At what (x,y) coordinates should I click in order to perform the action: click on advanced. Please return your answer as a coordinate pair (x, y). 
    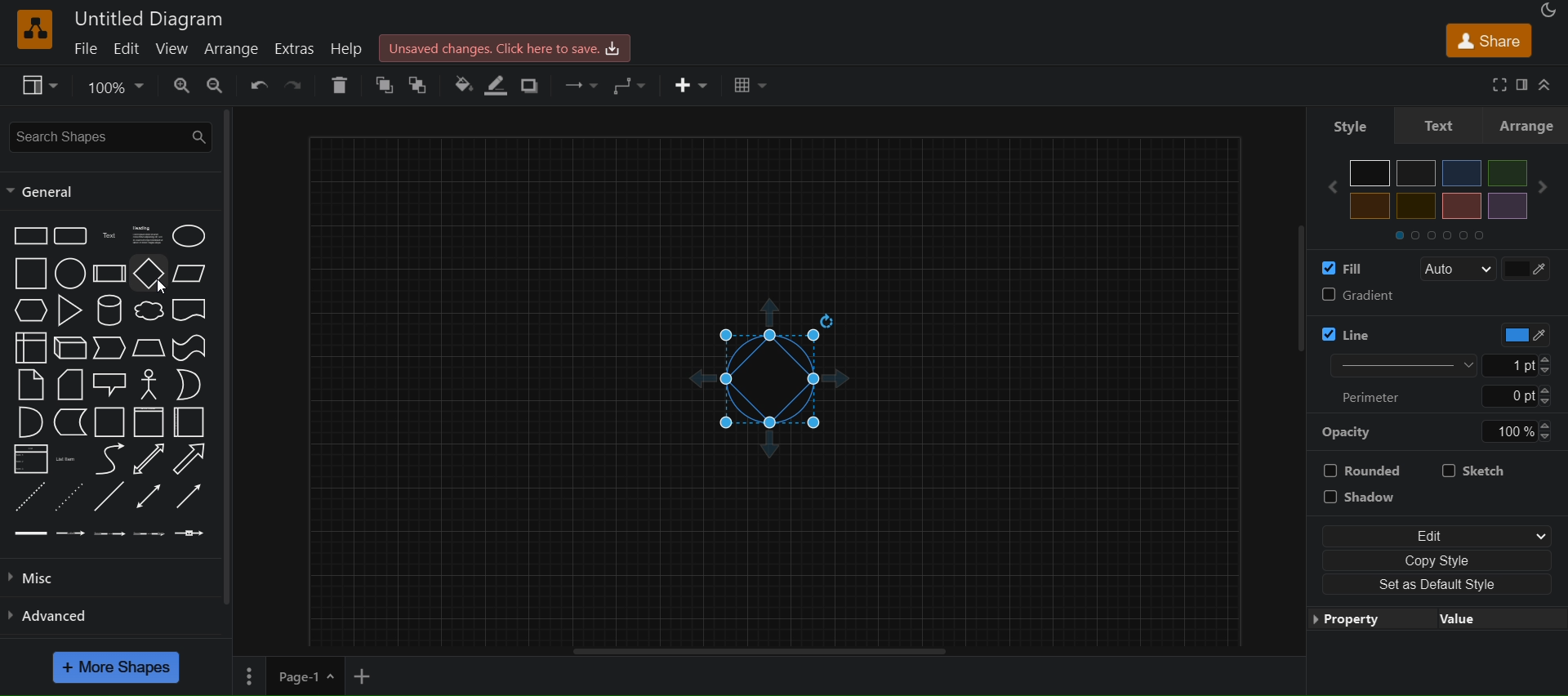
    Looking at the image, I should click on (57, 613).